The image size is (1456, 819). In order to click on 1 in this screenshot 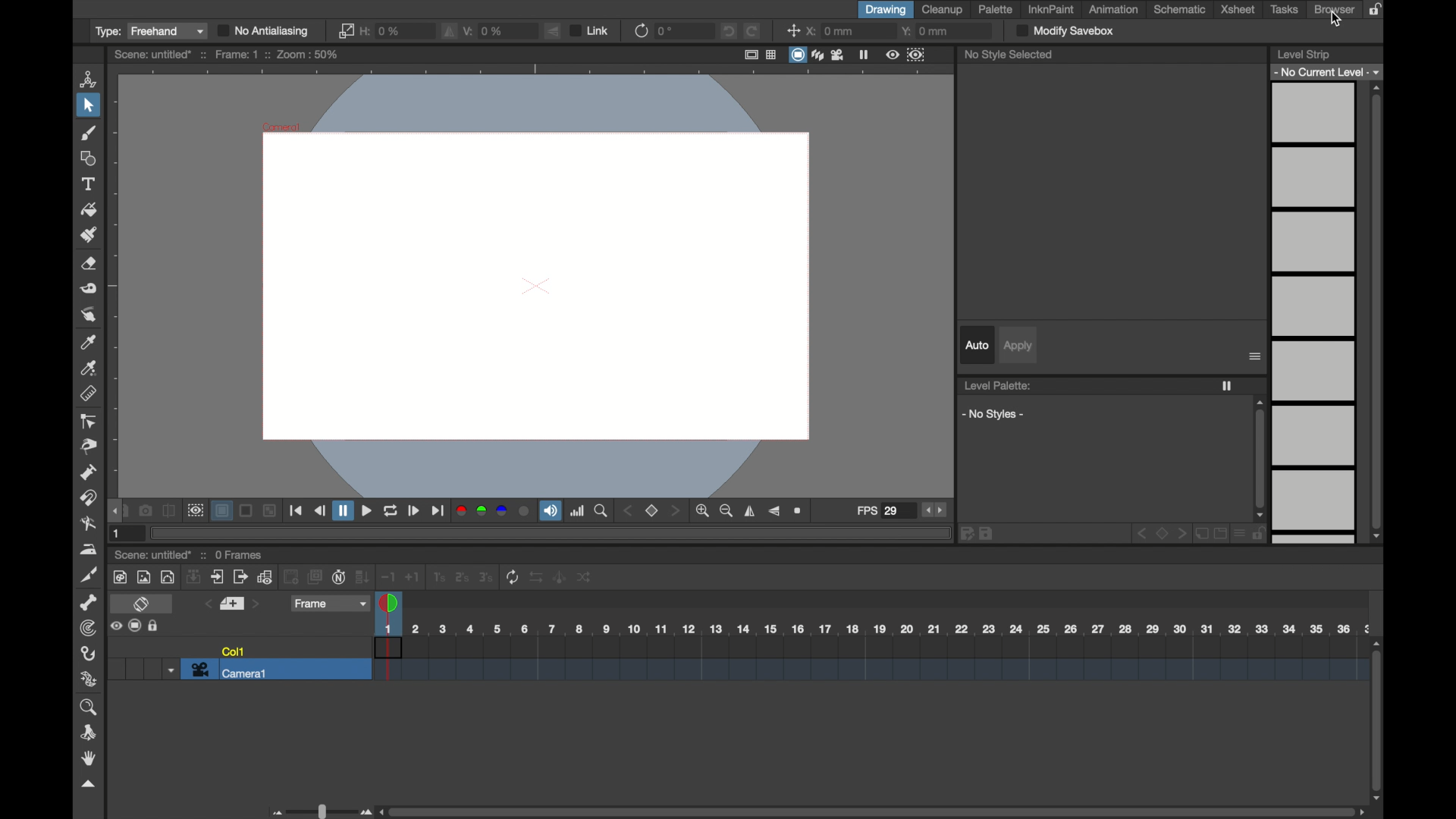, I will do `click(118, 534)`.